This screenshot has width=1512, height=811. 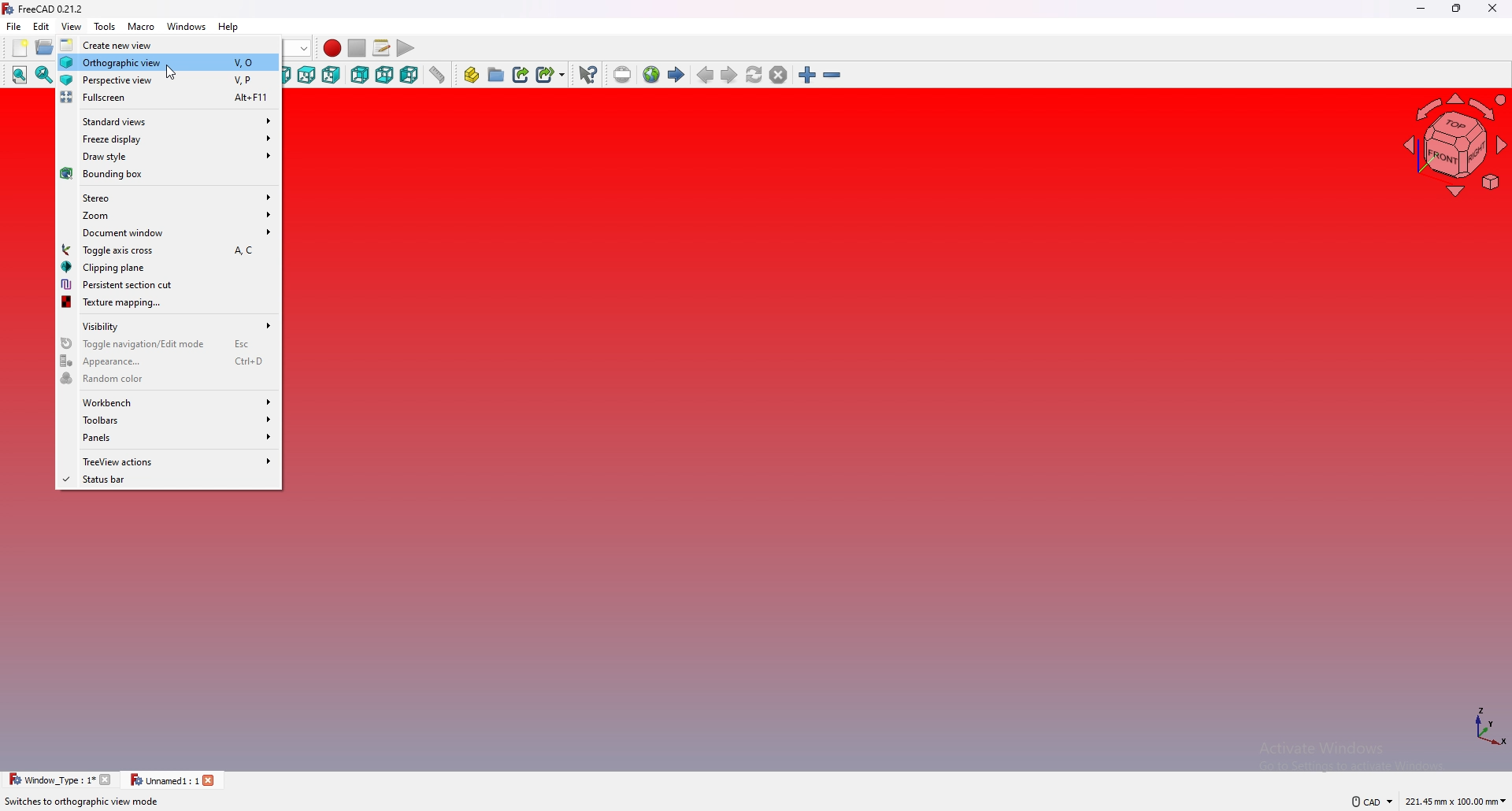 I want to click on execute macros, so click(x=406, y=49).